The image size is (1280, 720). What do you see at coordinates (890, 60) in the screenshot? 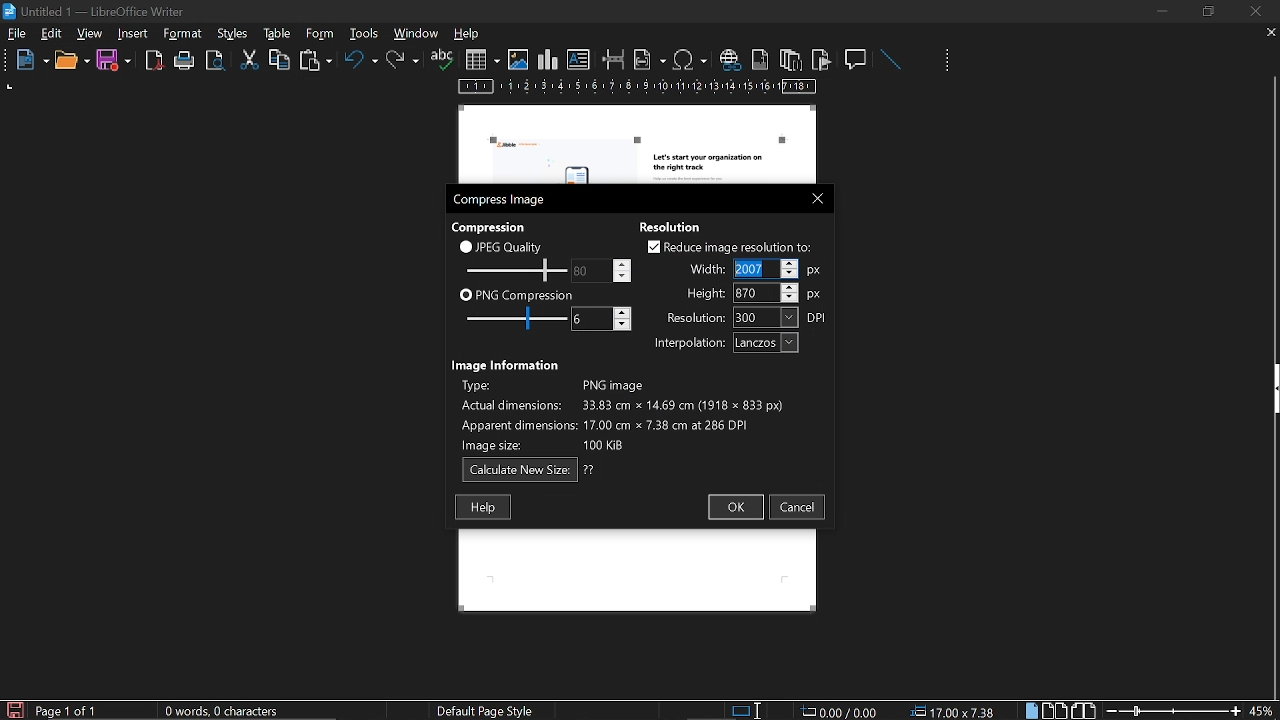
I see `line` at bounding box center [890, 60].